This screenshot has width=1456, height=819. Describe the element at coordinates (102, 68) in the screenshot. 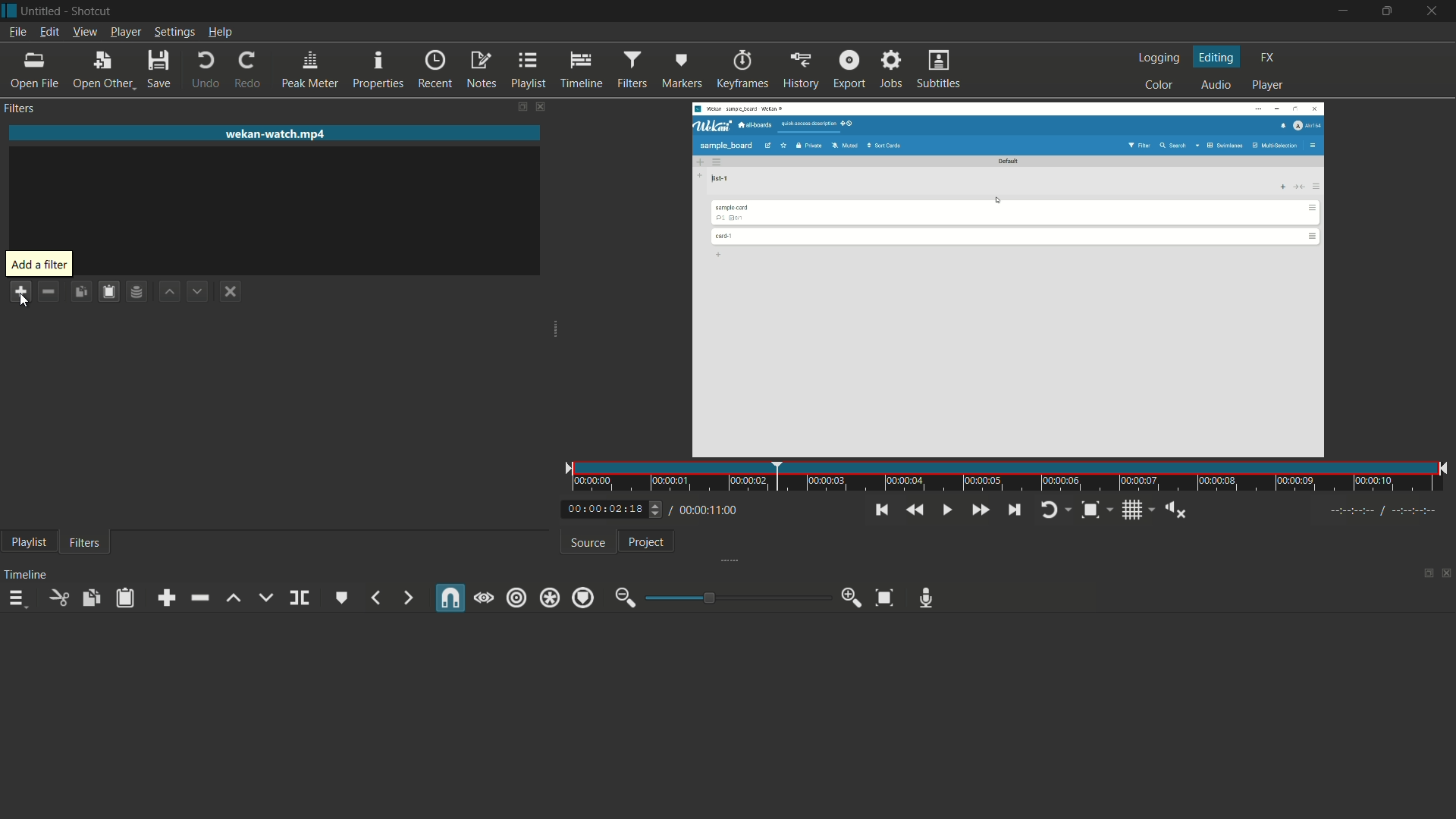

I see `open other` at that location.